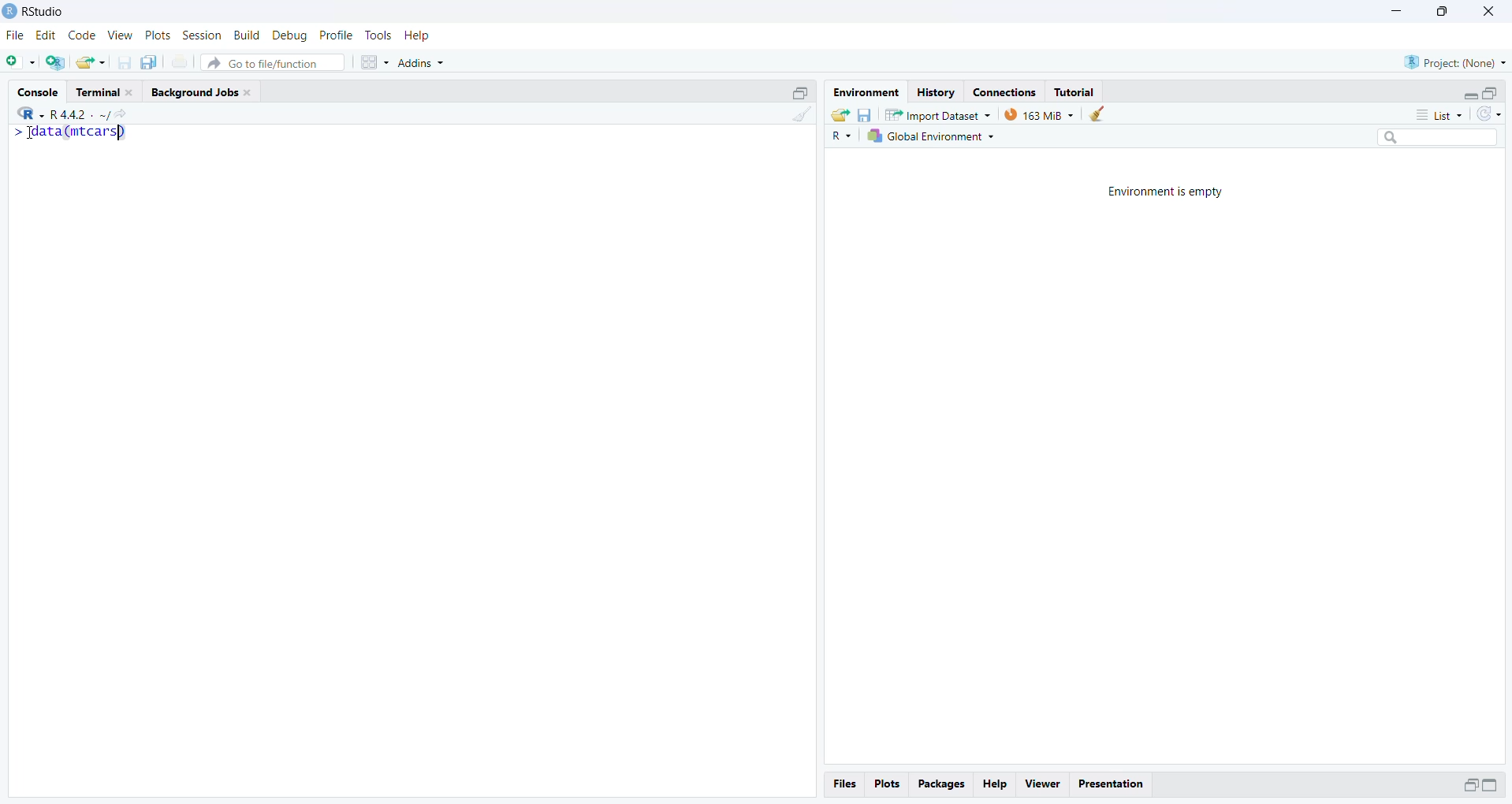 The height and width of the screenshot is (804, 1512). Describe the element at coordinates (840, 115) in the screenshot. I see `share` at that location.